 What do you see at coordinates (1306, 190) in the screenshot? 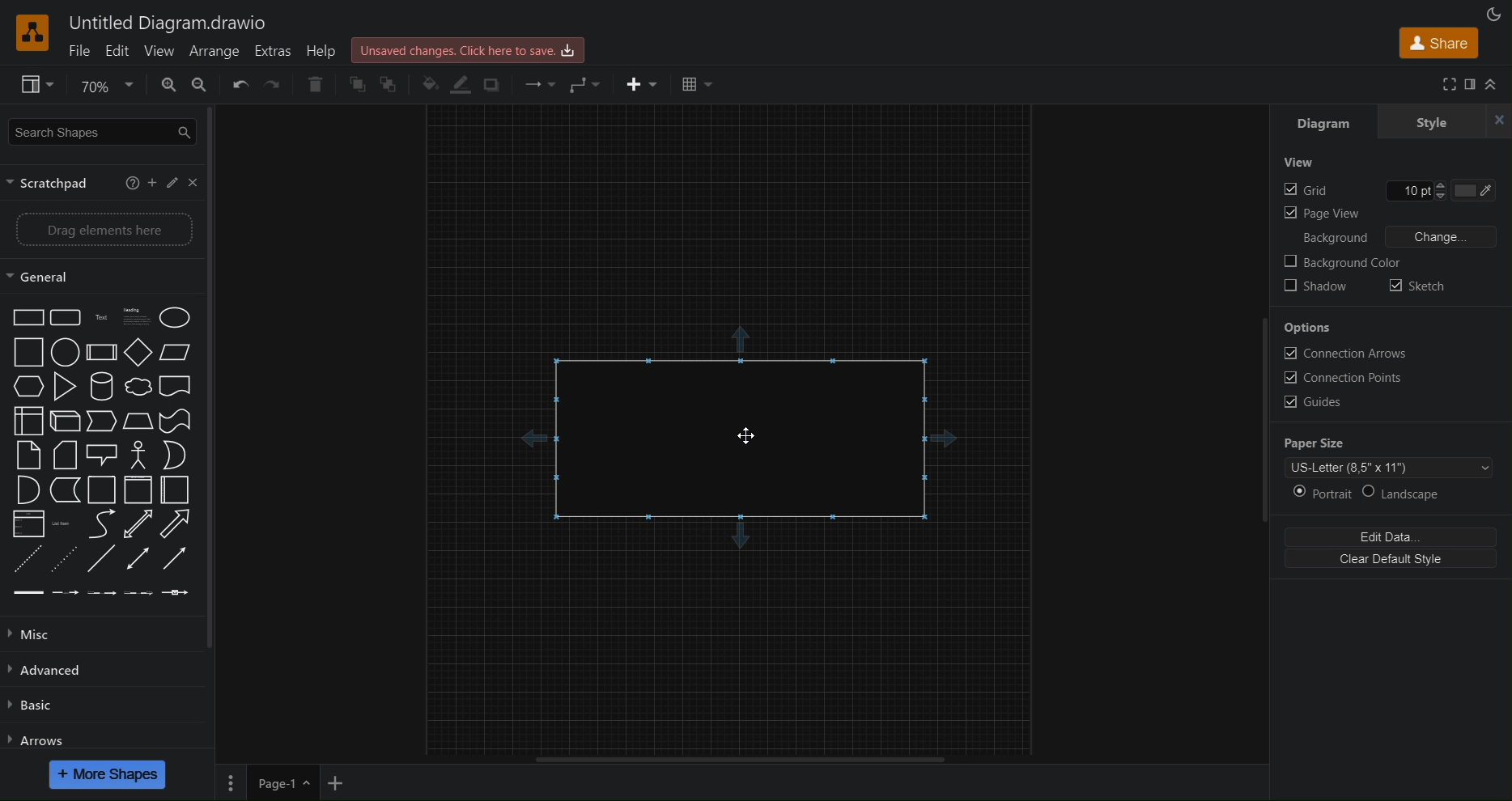
I see `Grid` at bounding box center [1306, 190].